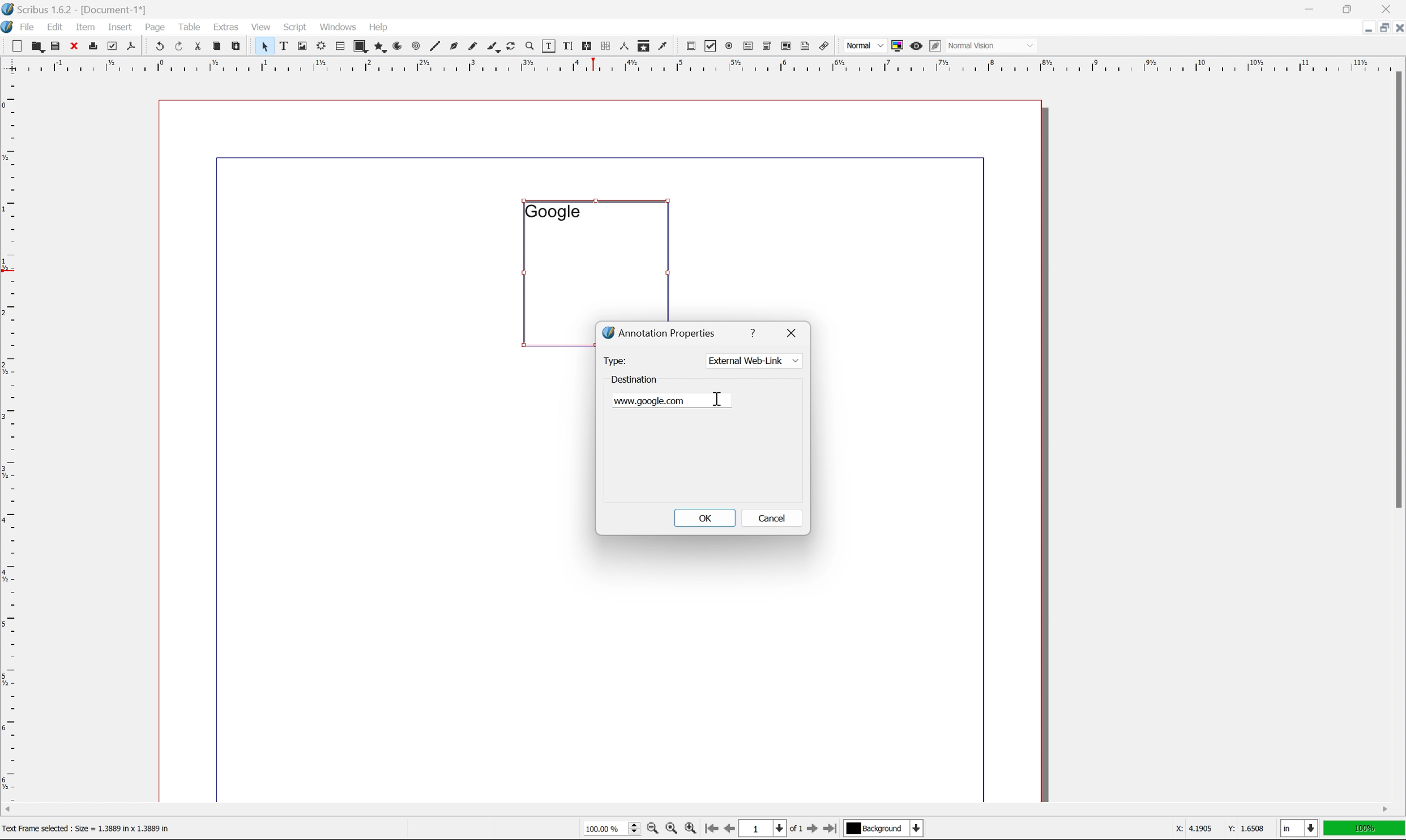 The width and height of the screenshot is (1406, 840). Describe the element at coordinates (644, 46) in the screenshot. I see `copy item properties` at that location.